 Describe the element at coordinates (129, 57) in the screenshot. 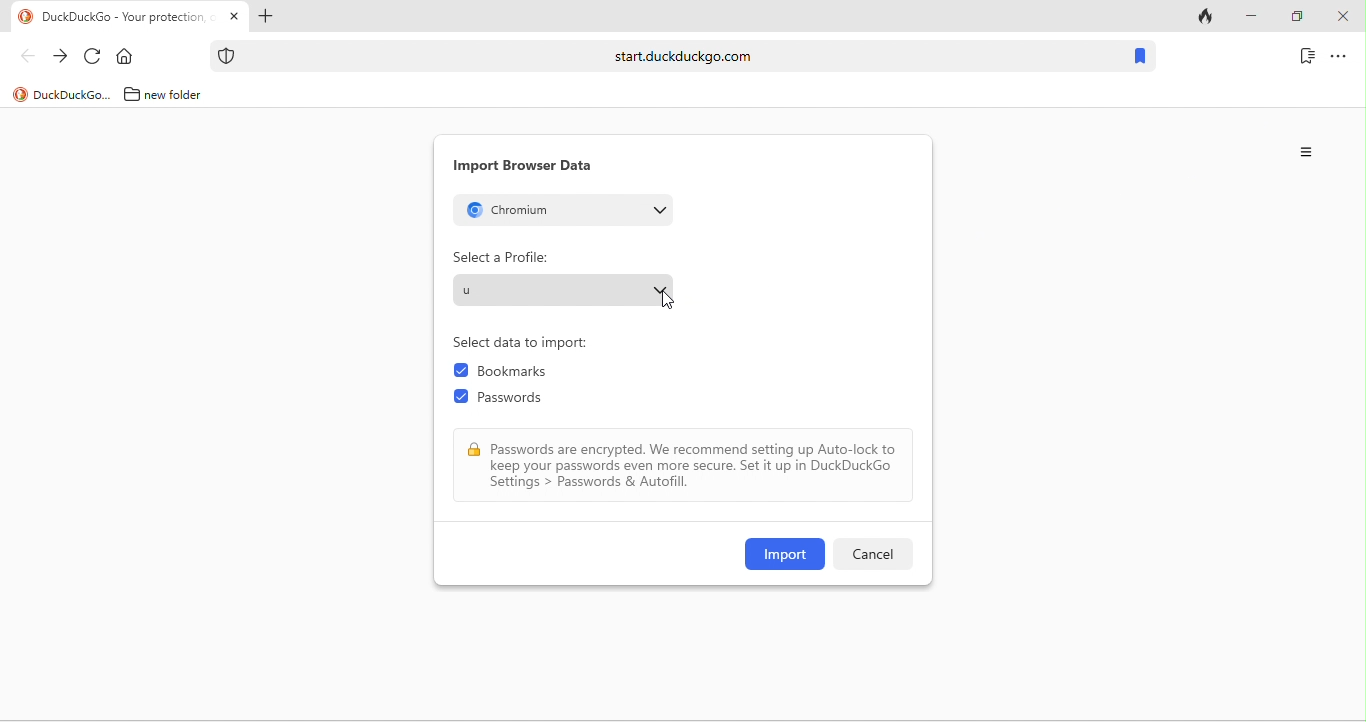

I see `home` at that location.